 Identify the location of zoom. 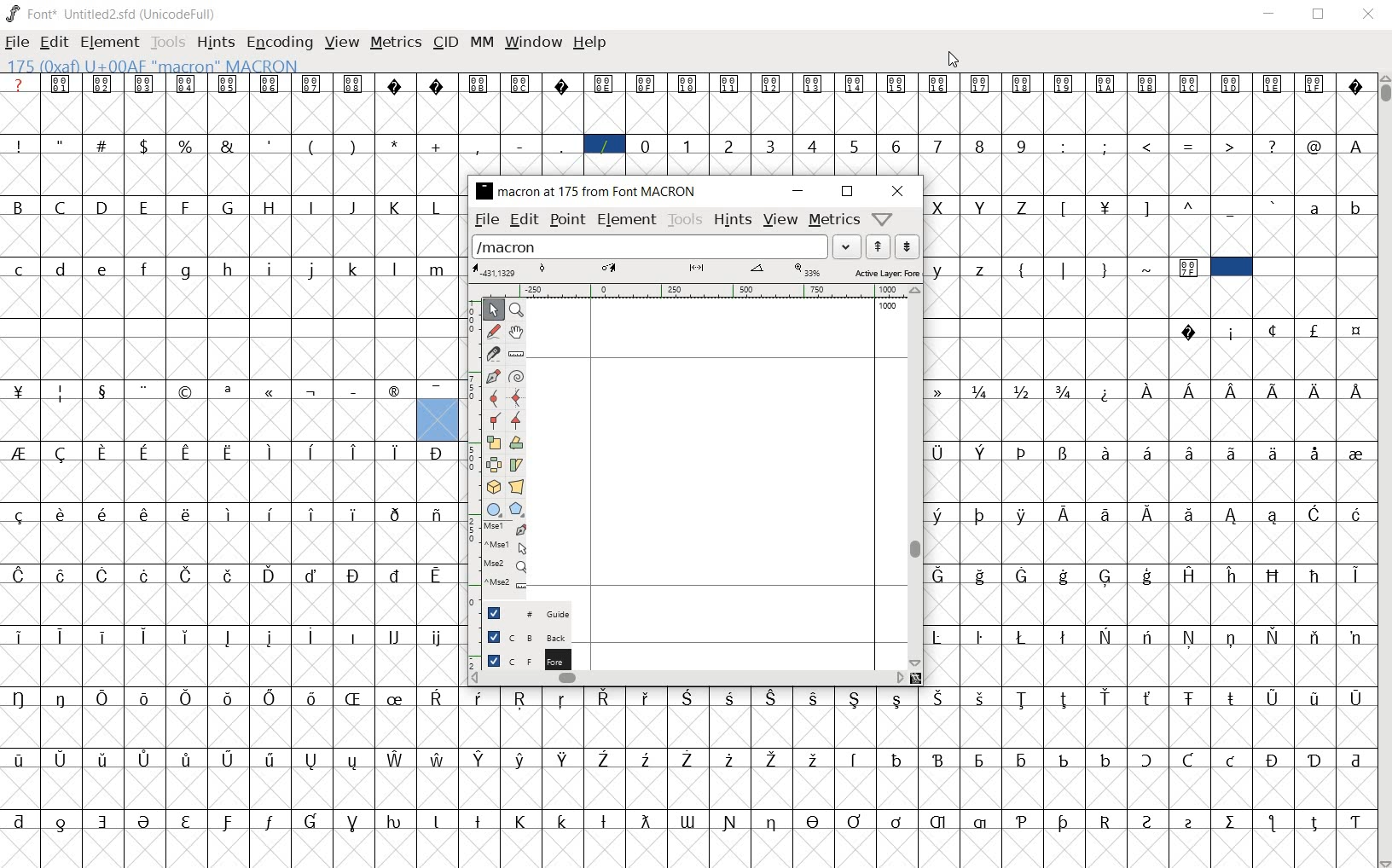
(518, 309).